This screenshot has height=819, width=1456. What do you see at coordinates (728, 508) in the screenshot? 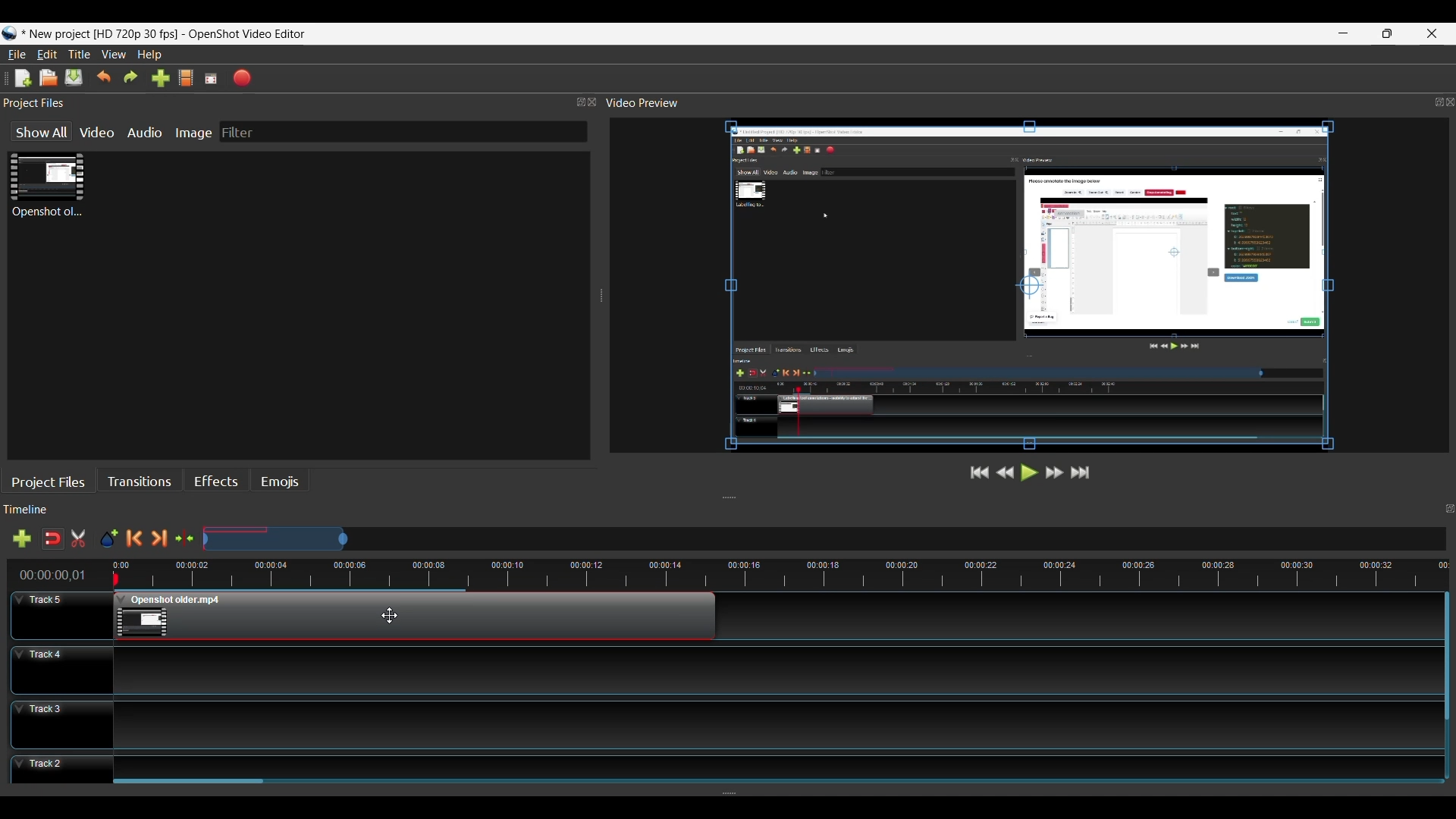
I see `Timeline Panel` at bounding box center [728, 508].